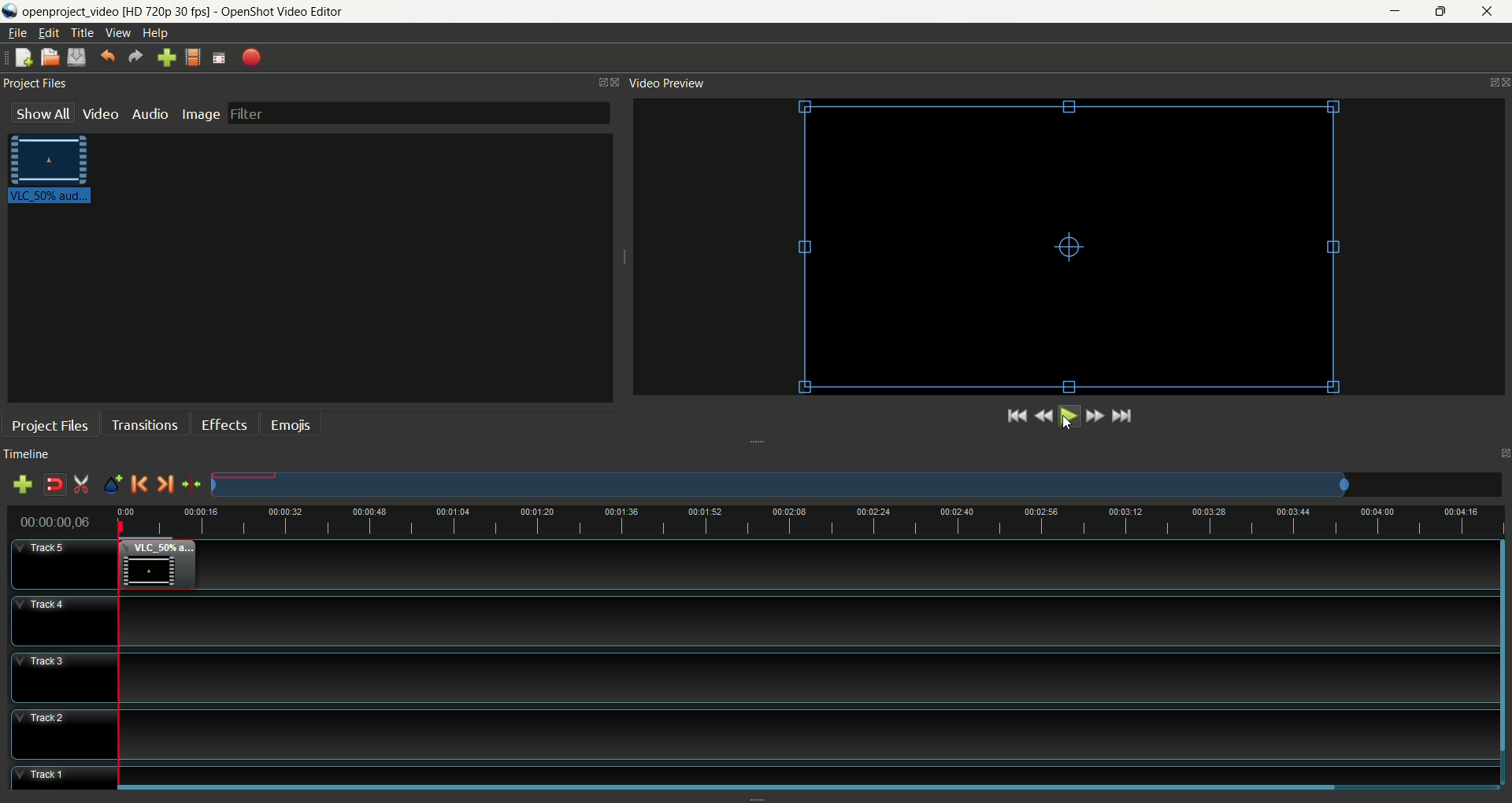 This screenshot has height=803, width=1512. Describe the element at coordinates (291, 424) in the screenshot. I see `emojis` at that location.